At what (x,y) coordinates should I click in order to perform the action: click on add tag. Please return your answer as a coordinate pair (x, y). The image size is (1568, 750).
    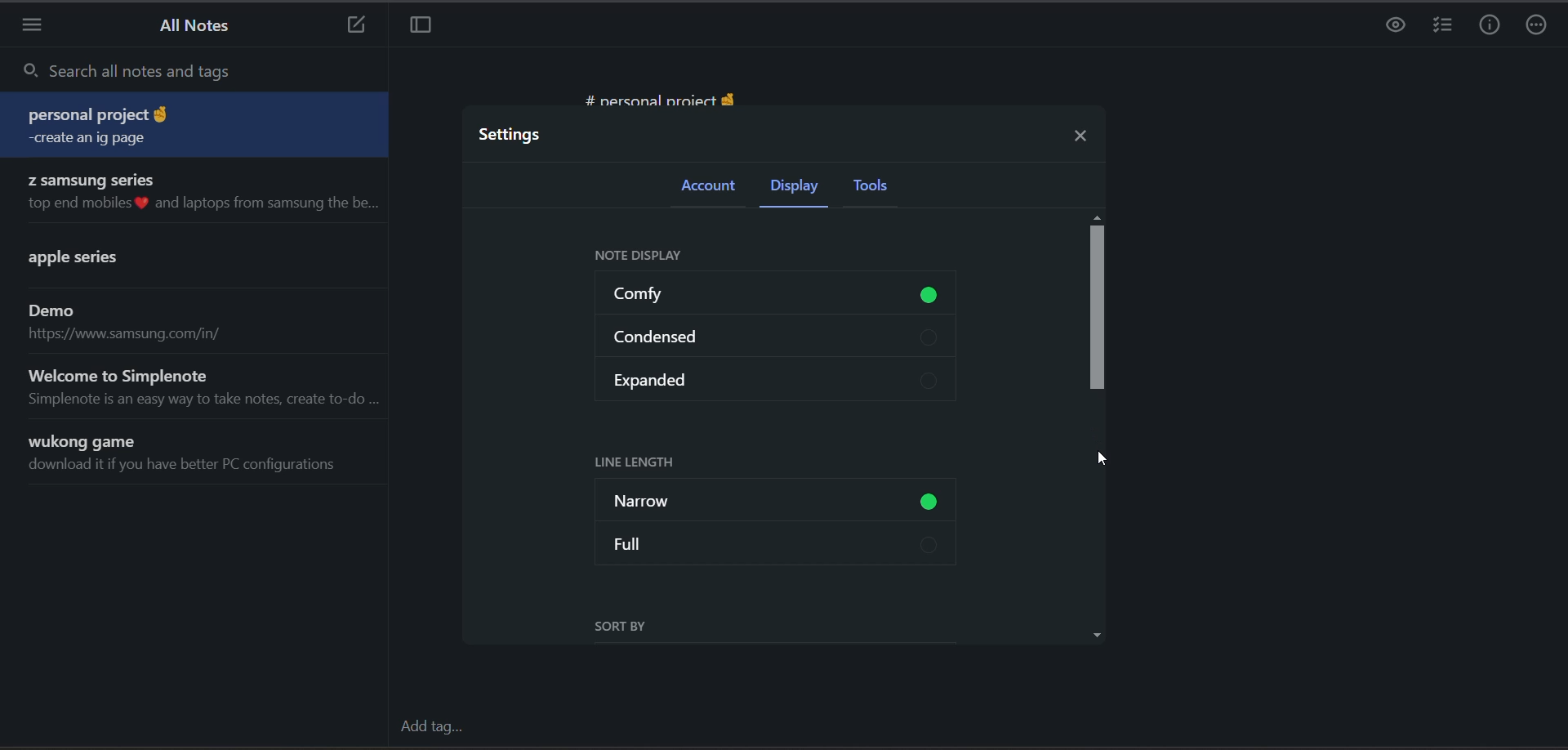
    Looking at the image, I should click on (434, 730).